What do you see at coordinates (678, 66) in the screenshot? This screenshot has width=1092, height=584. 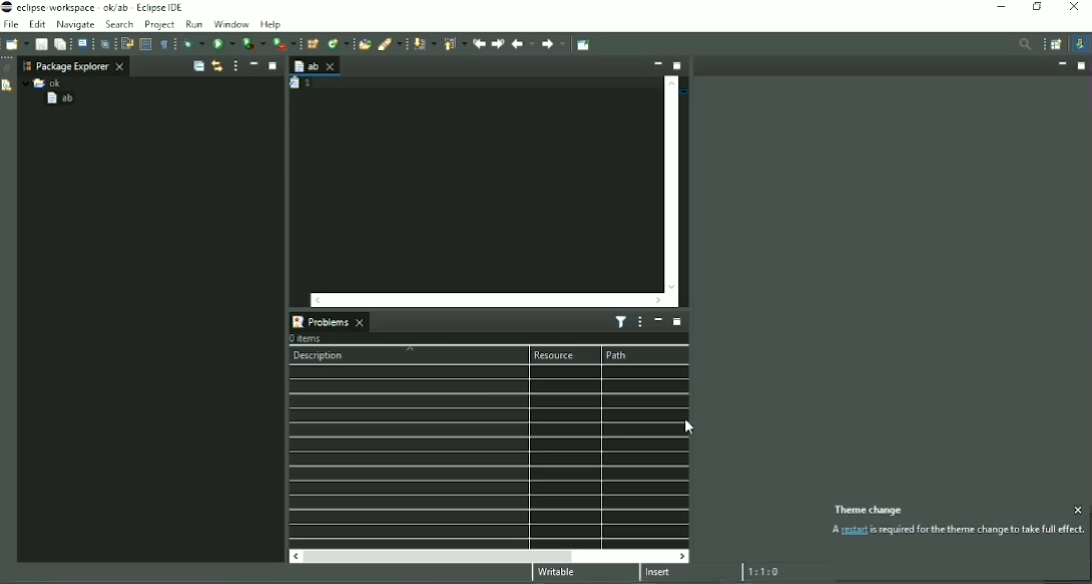 I see `Maximize` at bounding box center [678, 66].